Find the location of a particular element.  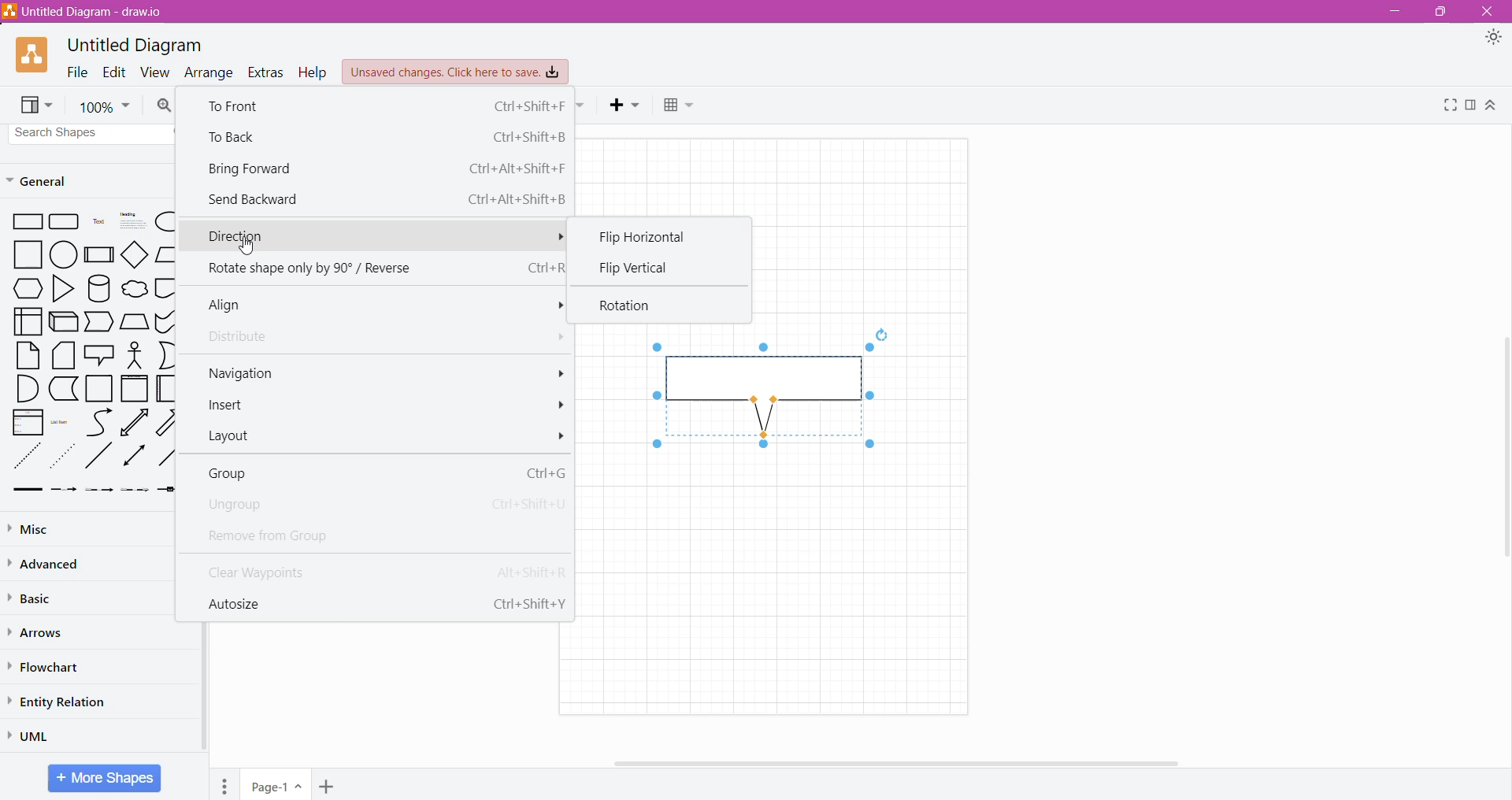

manual input is located at coordinates (135, 321).